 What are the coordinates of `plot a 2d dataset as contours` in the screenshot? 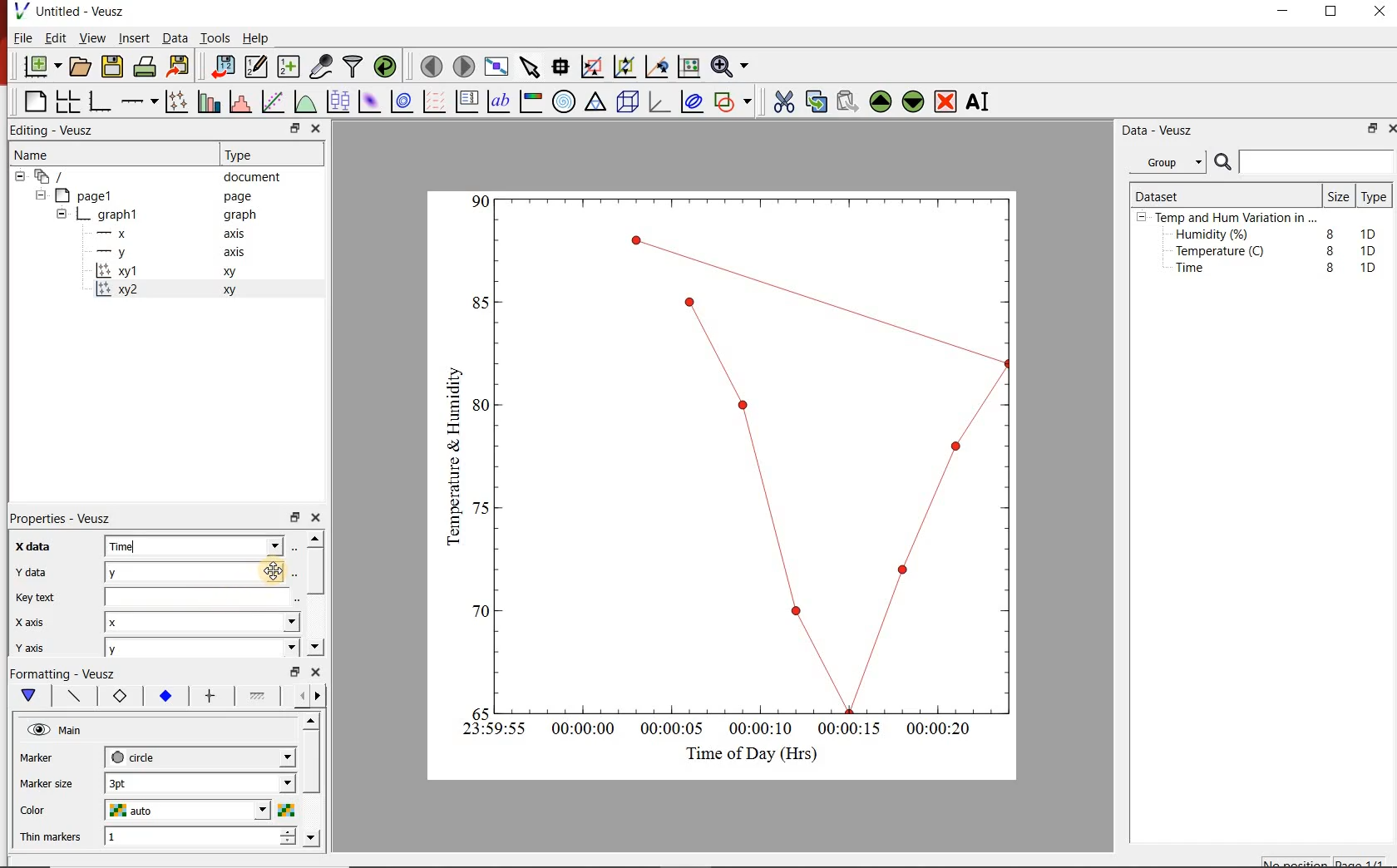 It's located at (406, 102).